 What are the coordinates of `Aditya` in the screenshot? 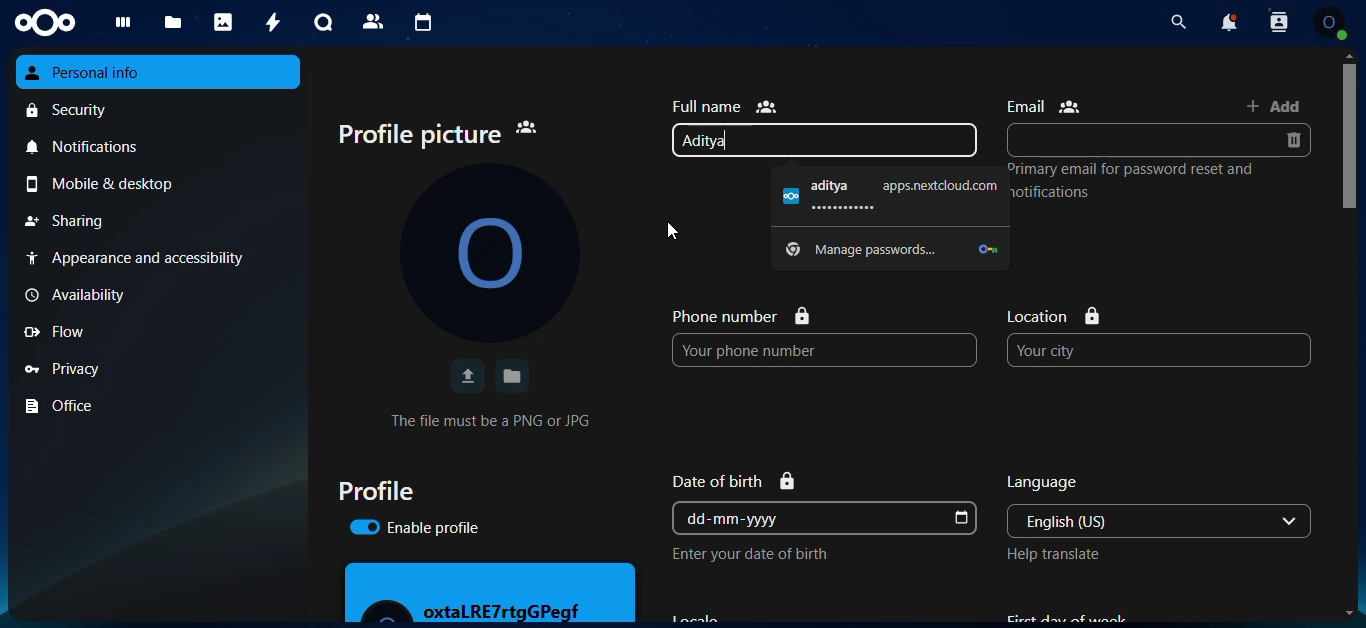 It's located at (824, 140).